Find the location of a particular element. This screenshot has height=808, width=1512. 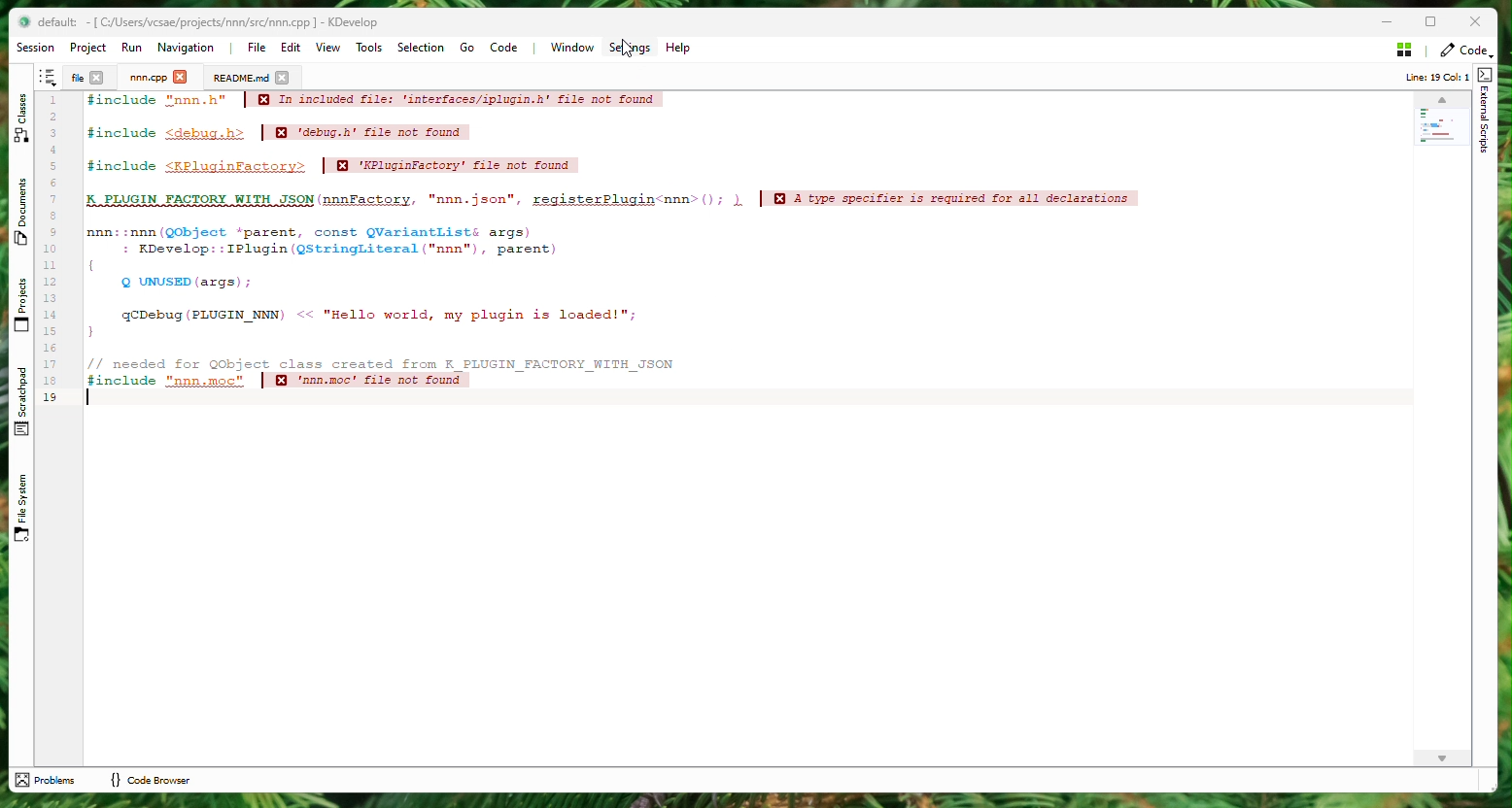

Project is located at coordinates (146, 78).